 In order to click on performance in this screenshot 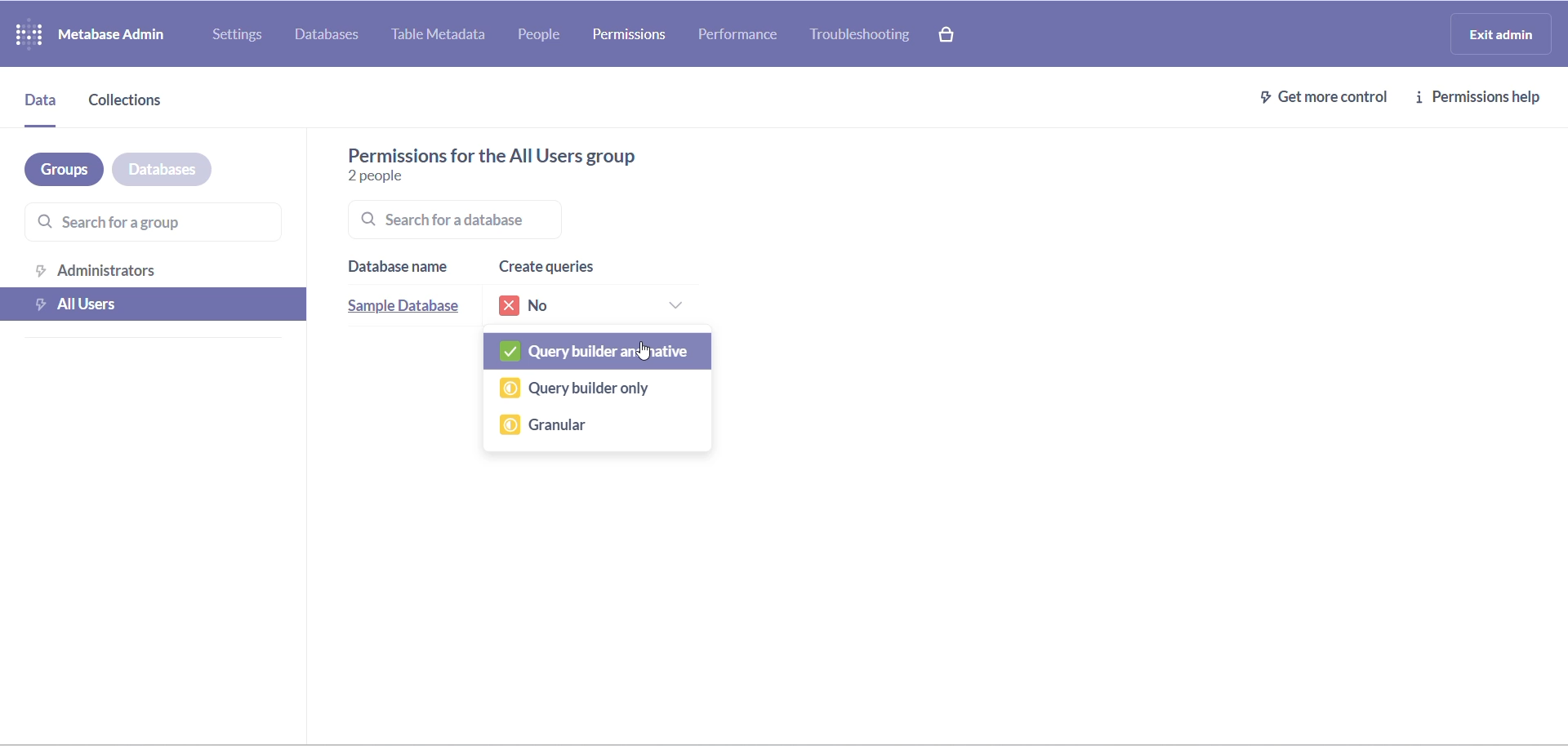, I will do `click(739, 33)`.